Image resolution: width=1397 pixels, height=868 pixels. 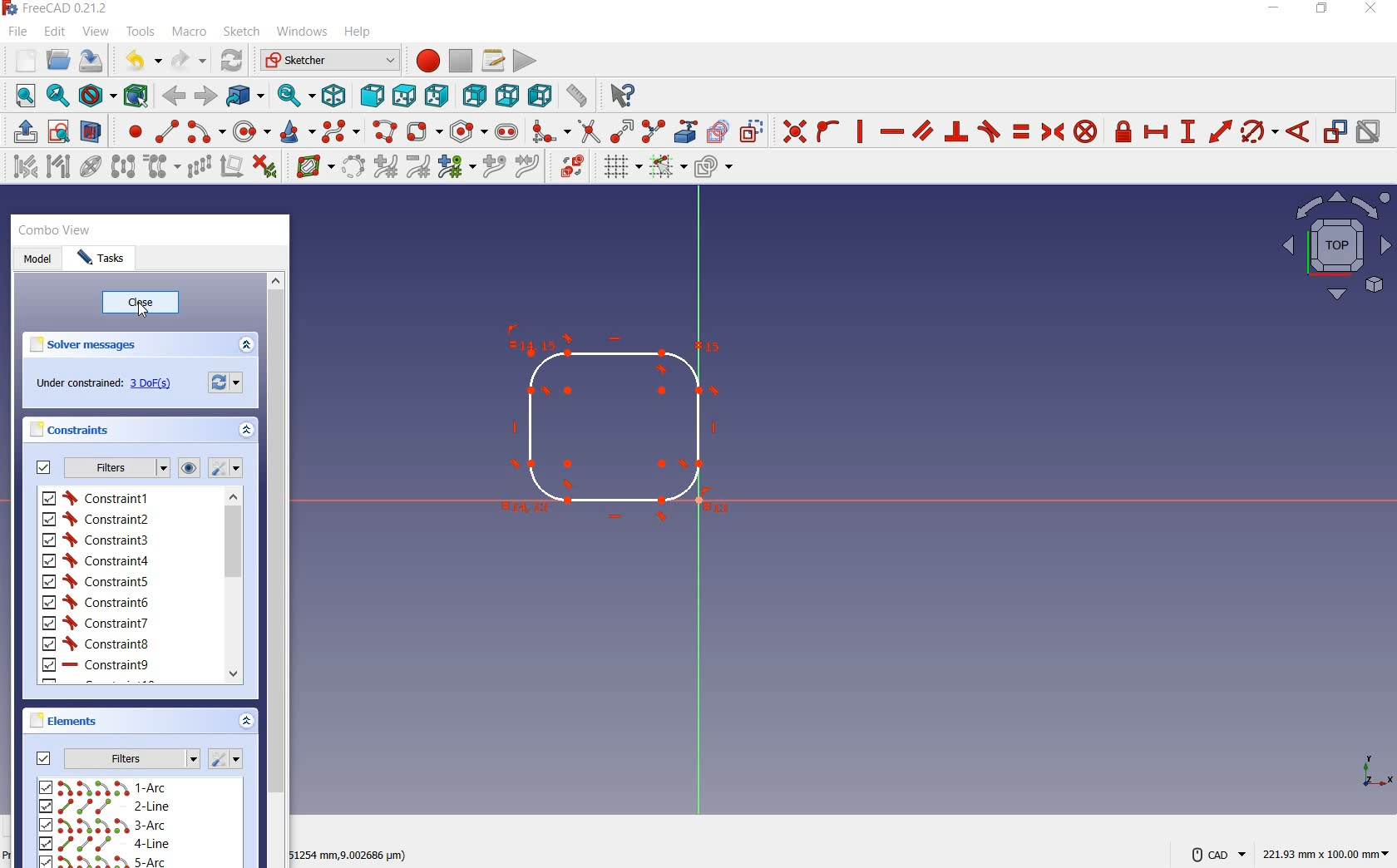 I want to click on What's this?, so click(x=622, y=94).